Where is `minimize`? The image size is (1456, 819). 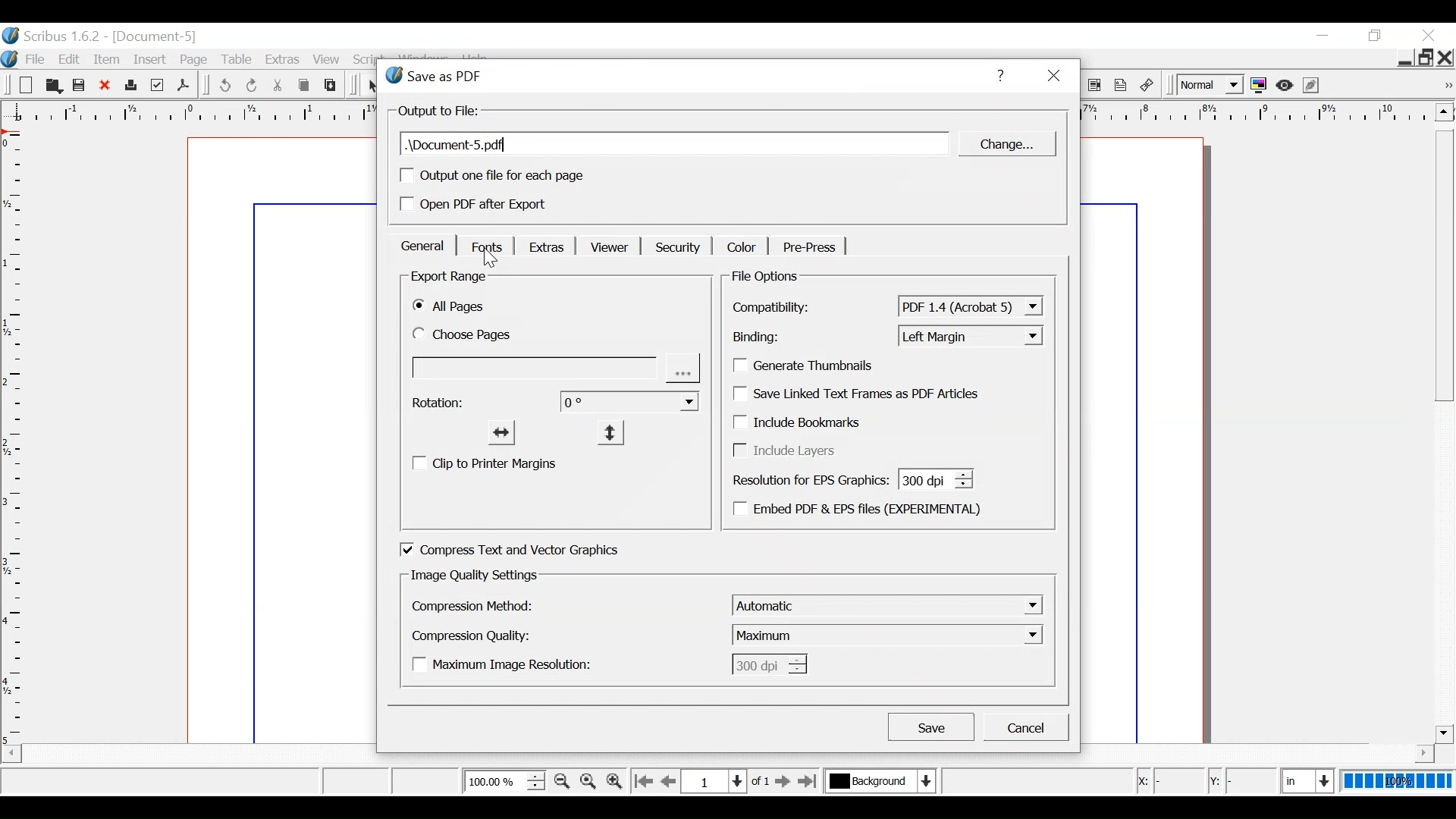 minimize is located at coordinates (1403, 60).